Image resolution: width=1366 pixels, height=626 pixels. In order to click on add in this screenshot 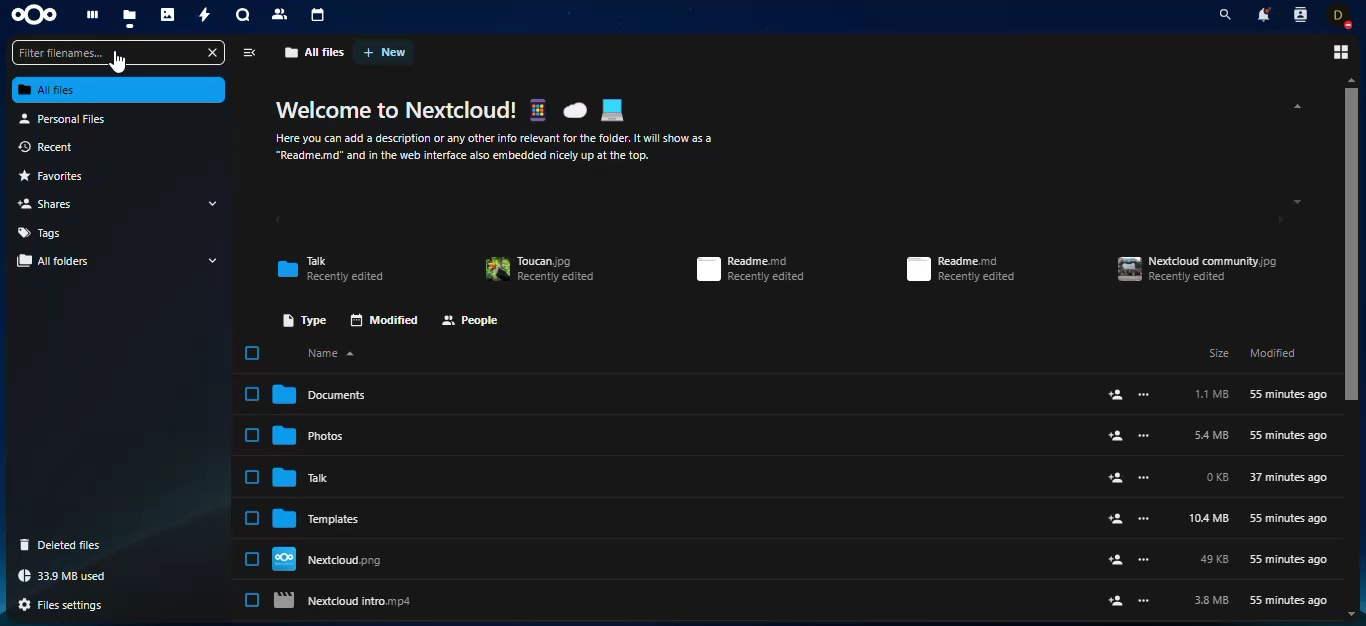, I will do `click(1115, 477)`.